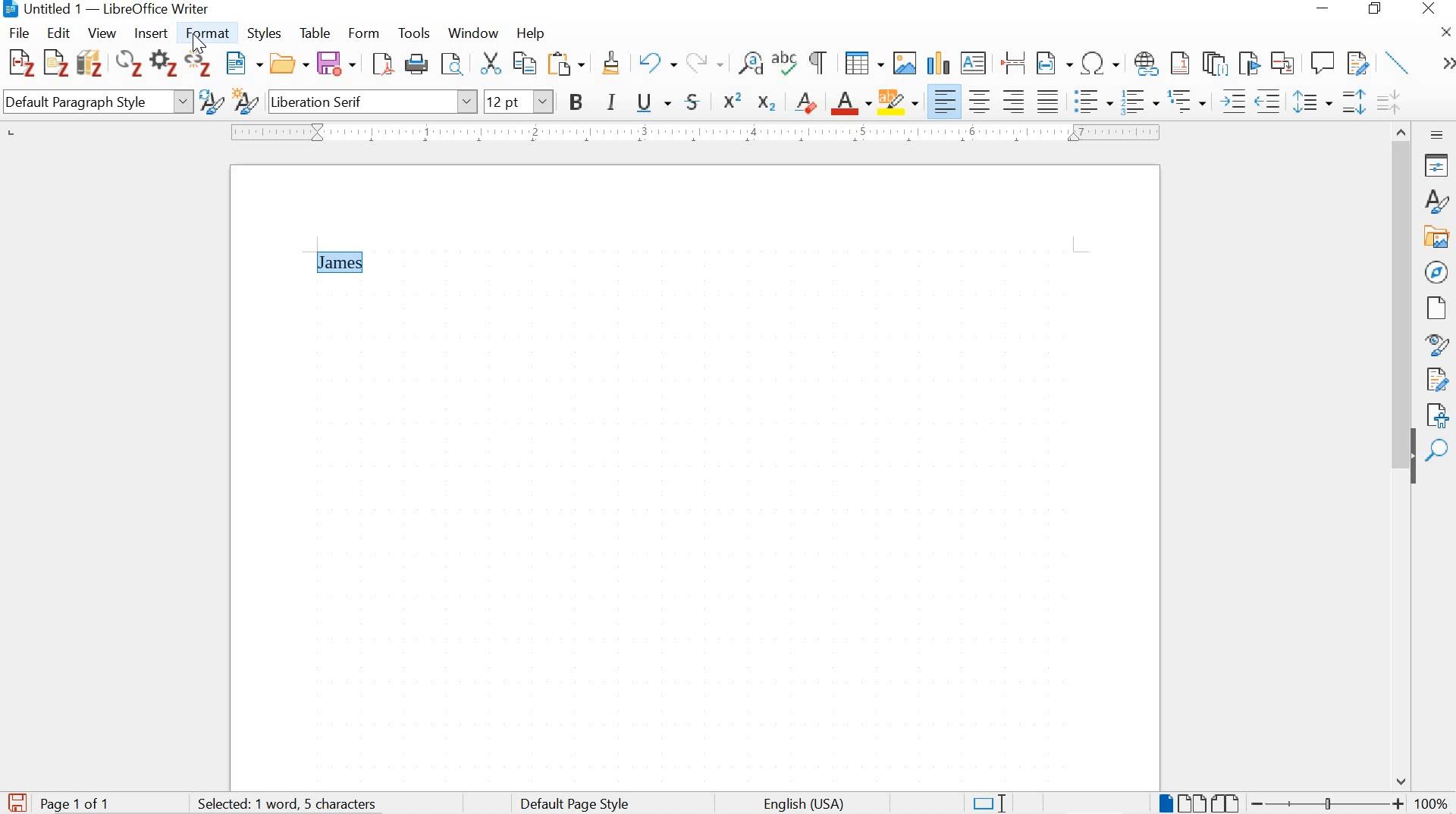 Image resolution: width=1456 pixels, height=814 pixels. What do you see at coordinates (1227, 803) in the screenshot?
I see `book view` at bounding box center [1227, 803].